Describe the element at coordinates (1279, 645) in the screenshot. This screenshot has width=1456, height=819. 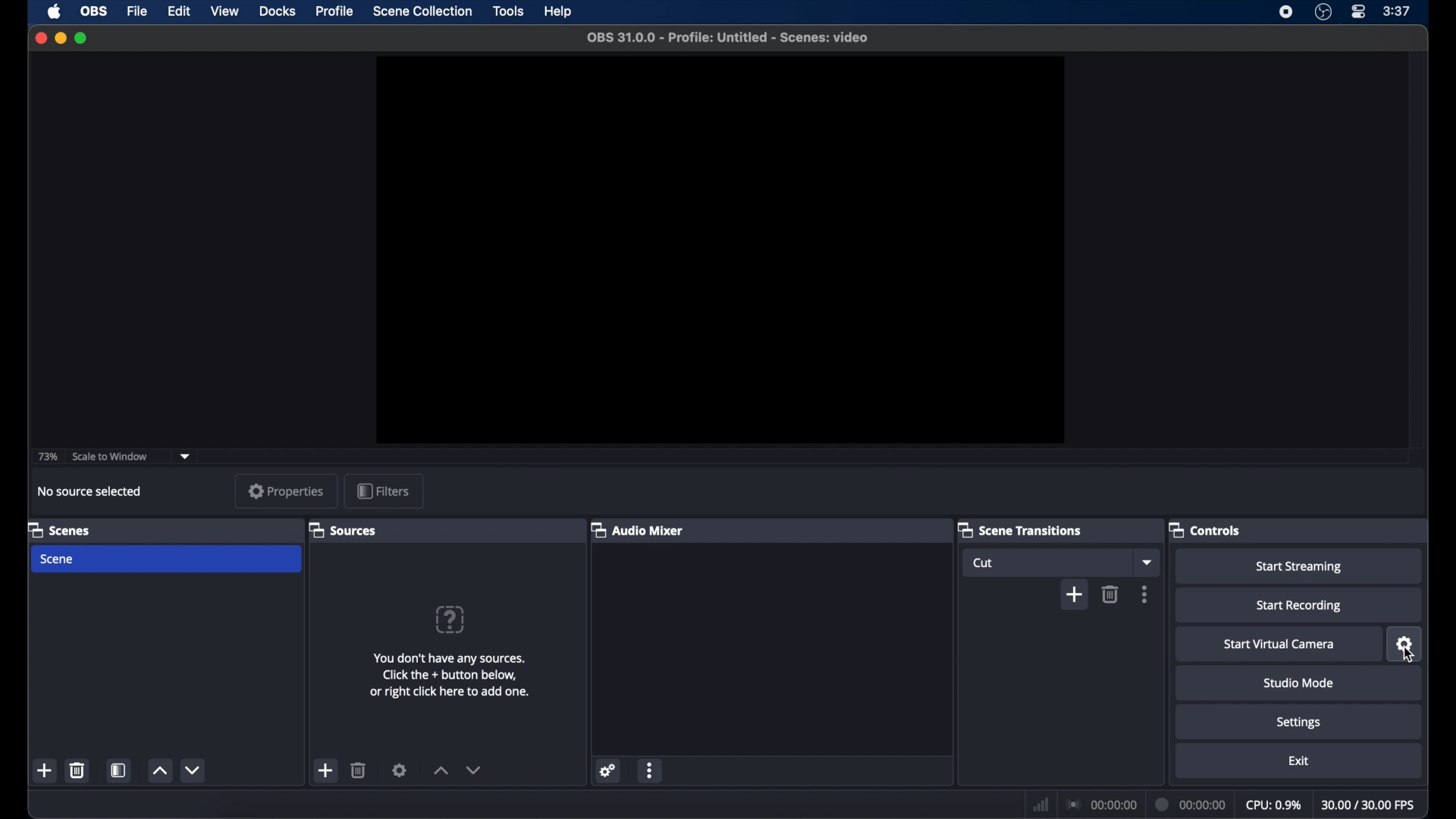
I see `start virtual camera` at that location.